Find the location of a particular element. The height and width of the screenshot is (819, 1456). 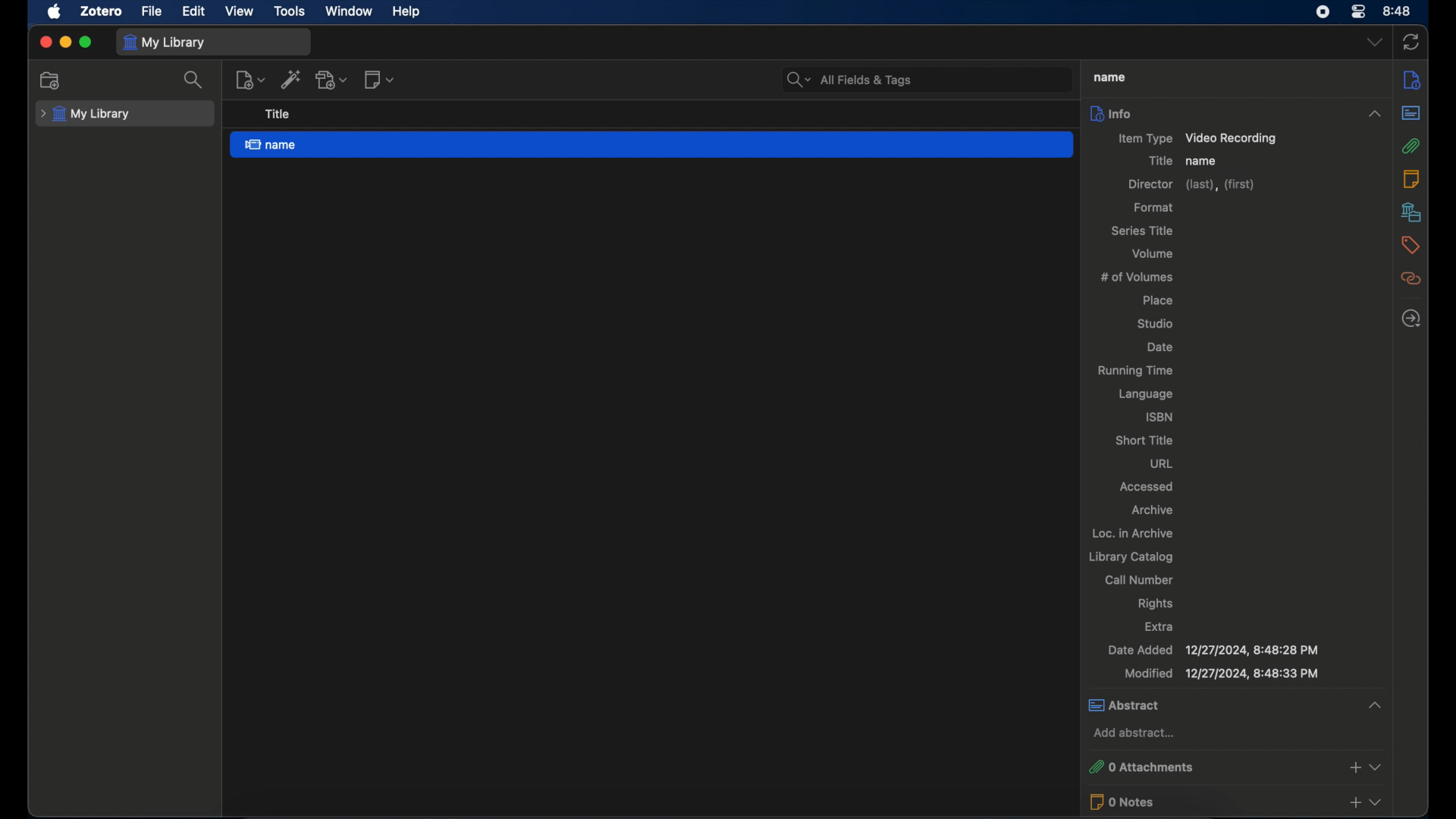

related is located at coordinates (1411, 279).